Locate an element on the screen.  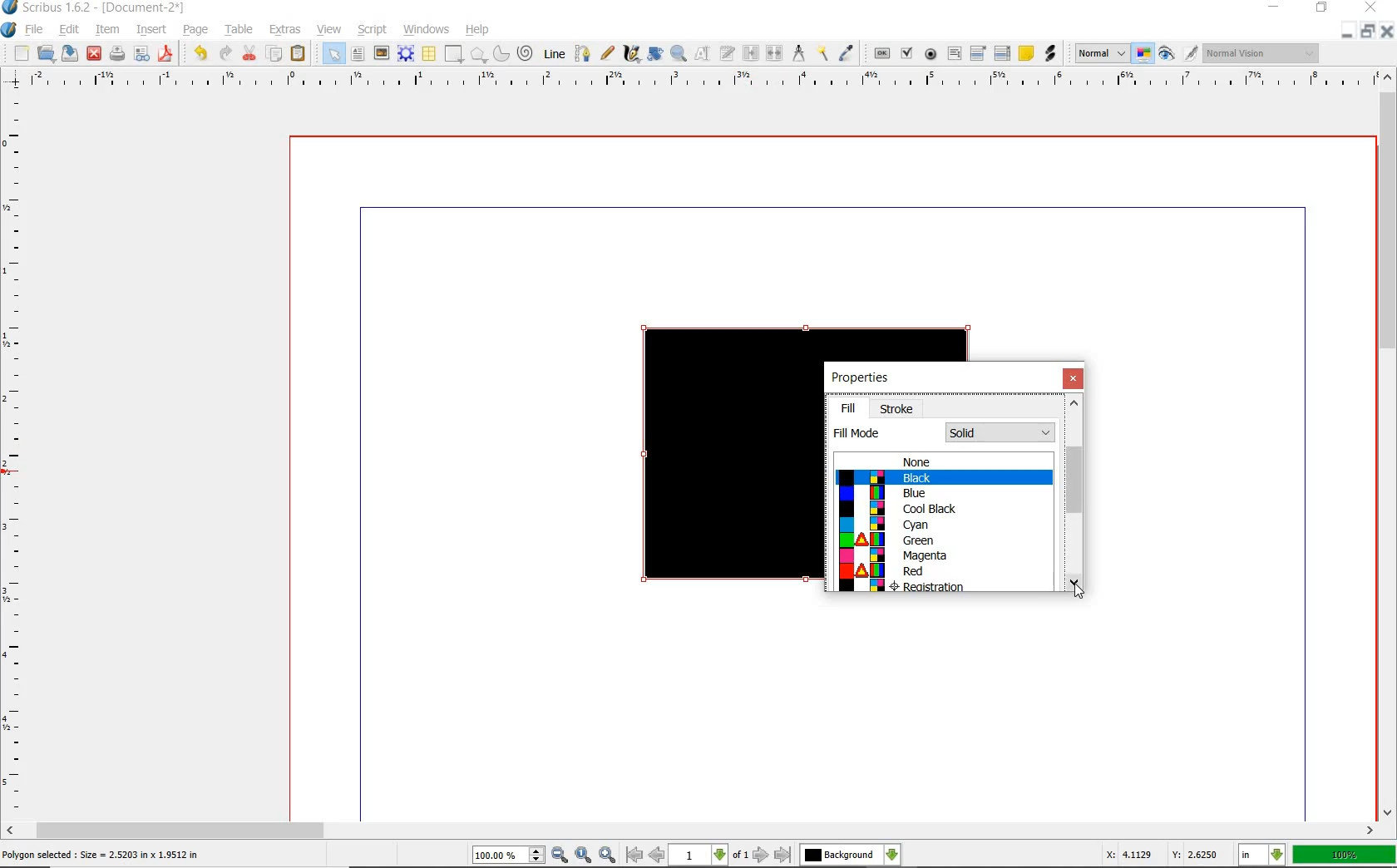
None is located at coordinates (917, 461).